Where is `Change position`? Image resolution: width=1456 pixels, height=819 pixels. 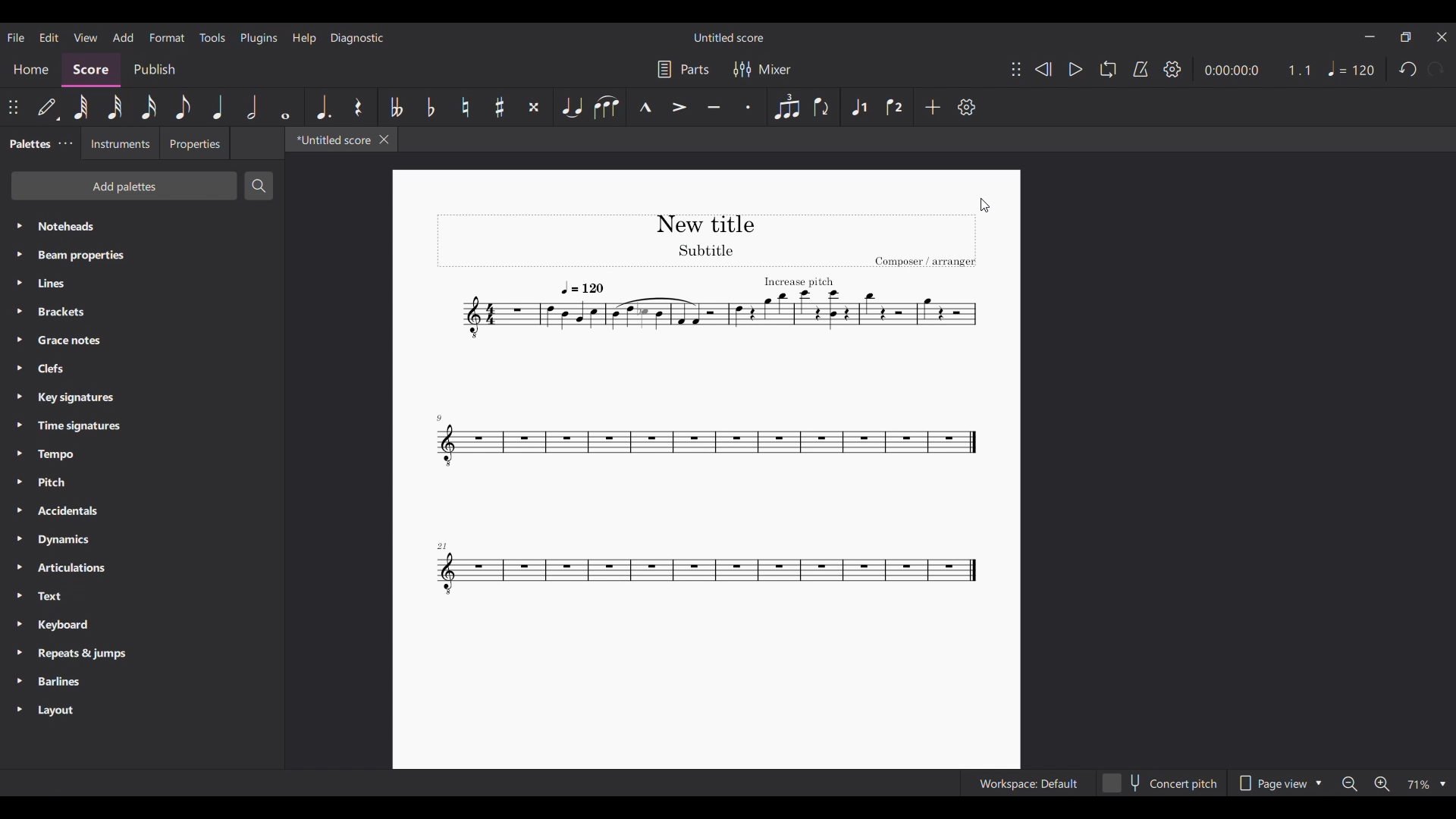
Change position is located at coordinates (1016, 69).